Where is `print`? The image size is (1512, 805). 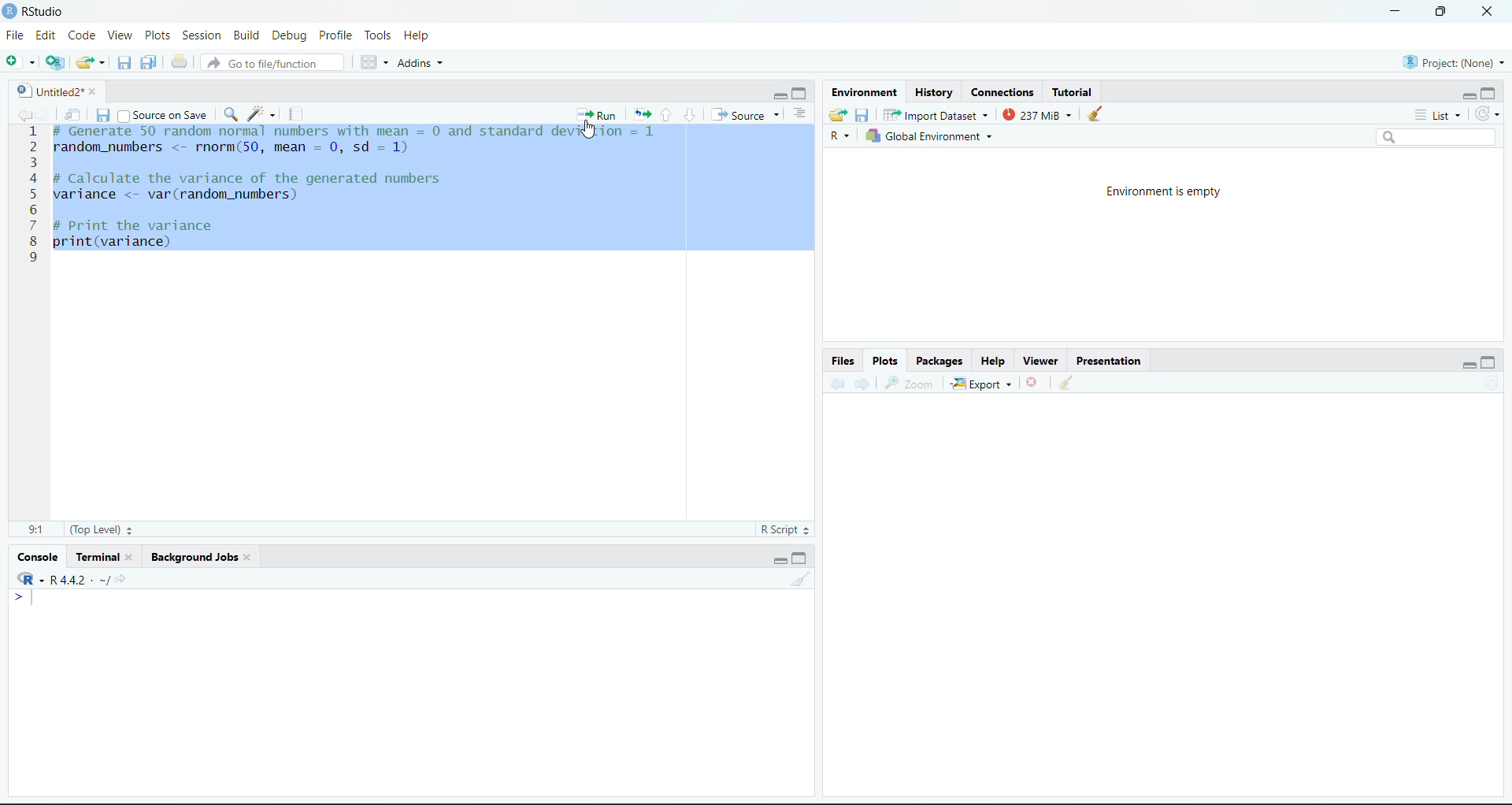
print is located at coordinates (180, 61).